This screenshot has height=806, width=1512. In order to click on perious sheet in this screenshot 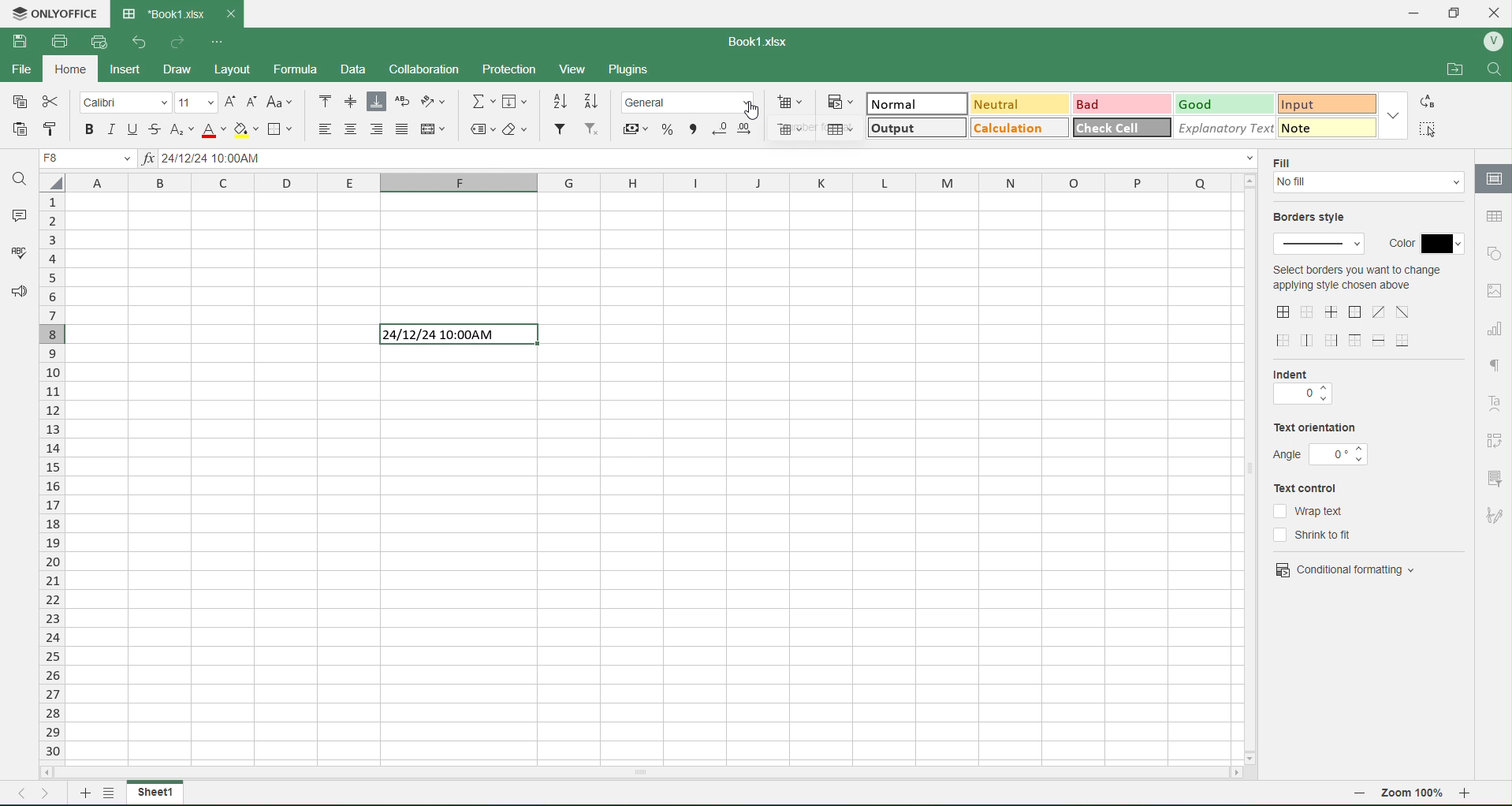, I will do `click(26, 792)`.